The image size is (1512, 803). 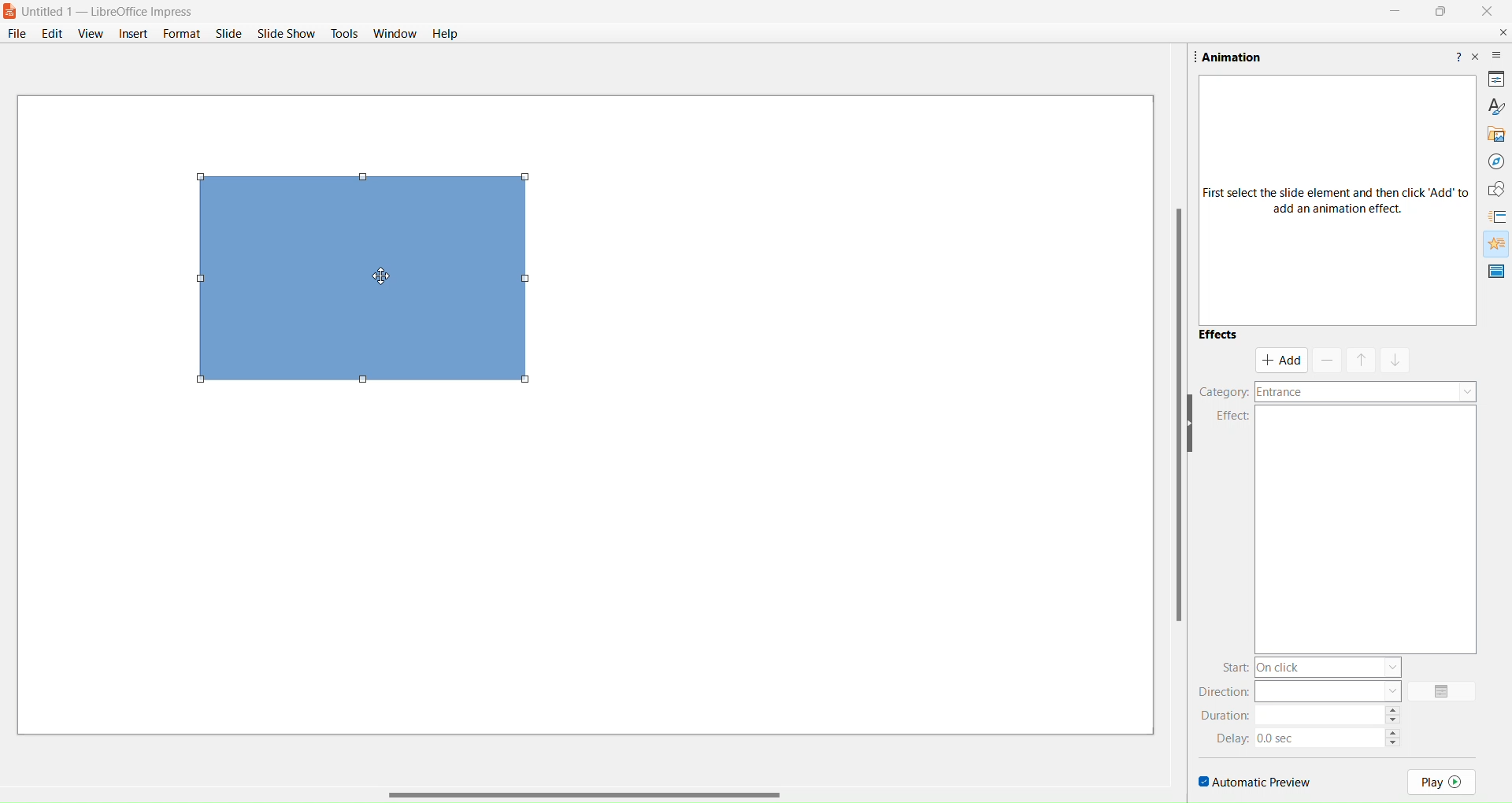 What do you see at coordinates (1367, 392) in the screenshot?
I see `category dropdown` at bounding box center [1367, 392].